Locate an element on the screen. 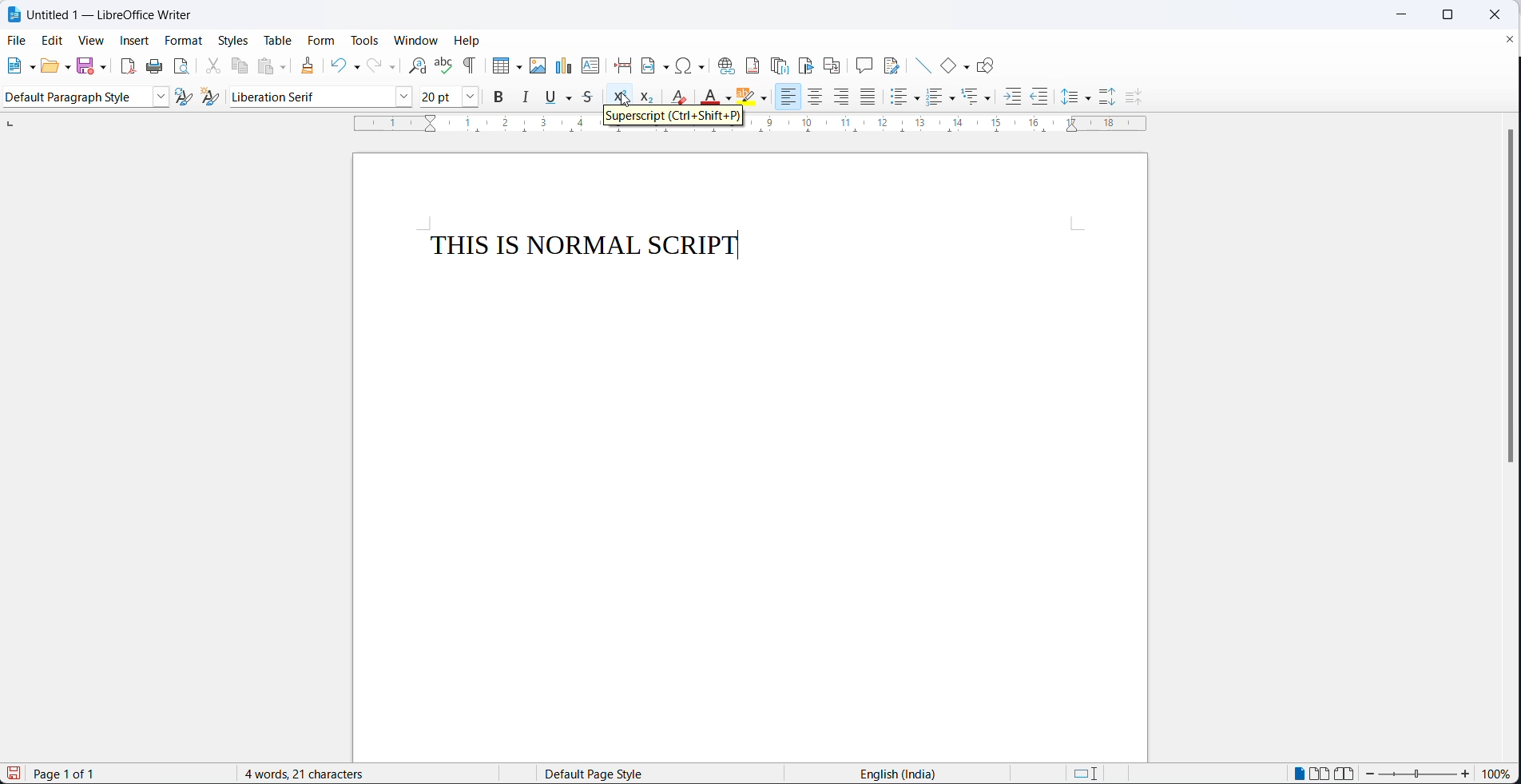 This screenshot has width=1521, height=784. form is located at coordinates (323, 42).